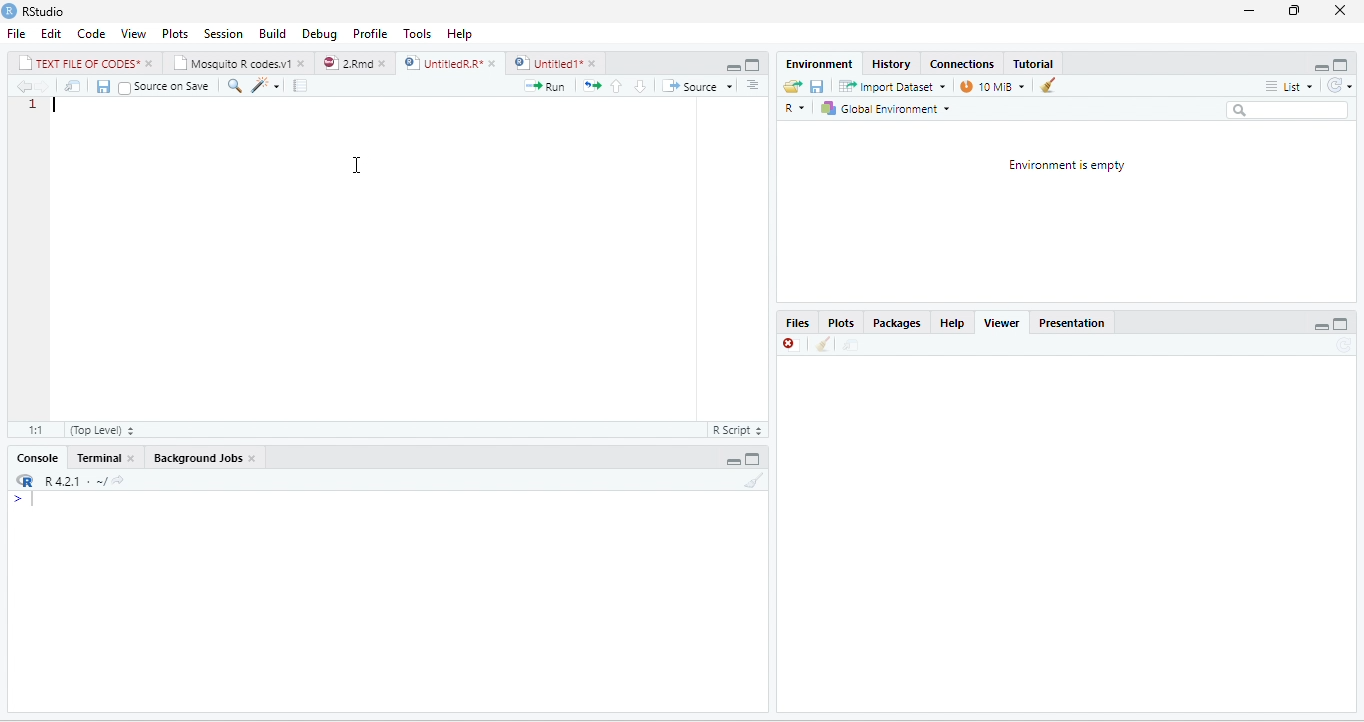 This screenshot has height=722, width=1364. I want to click on go to previous section/chunk, so click(616, 85).